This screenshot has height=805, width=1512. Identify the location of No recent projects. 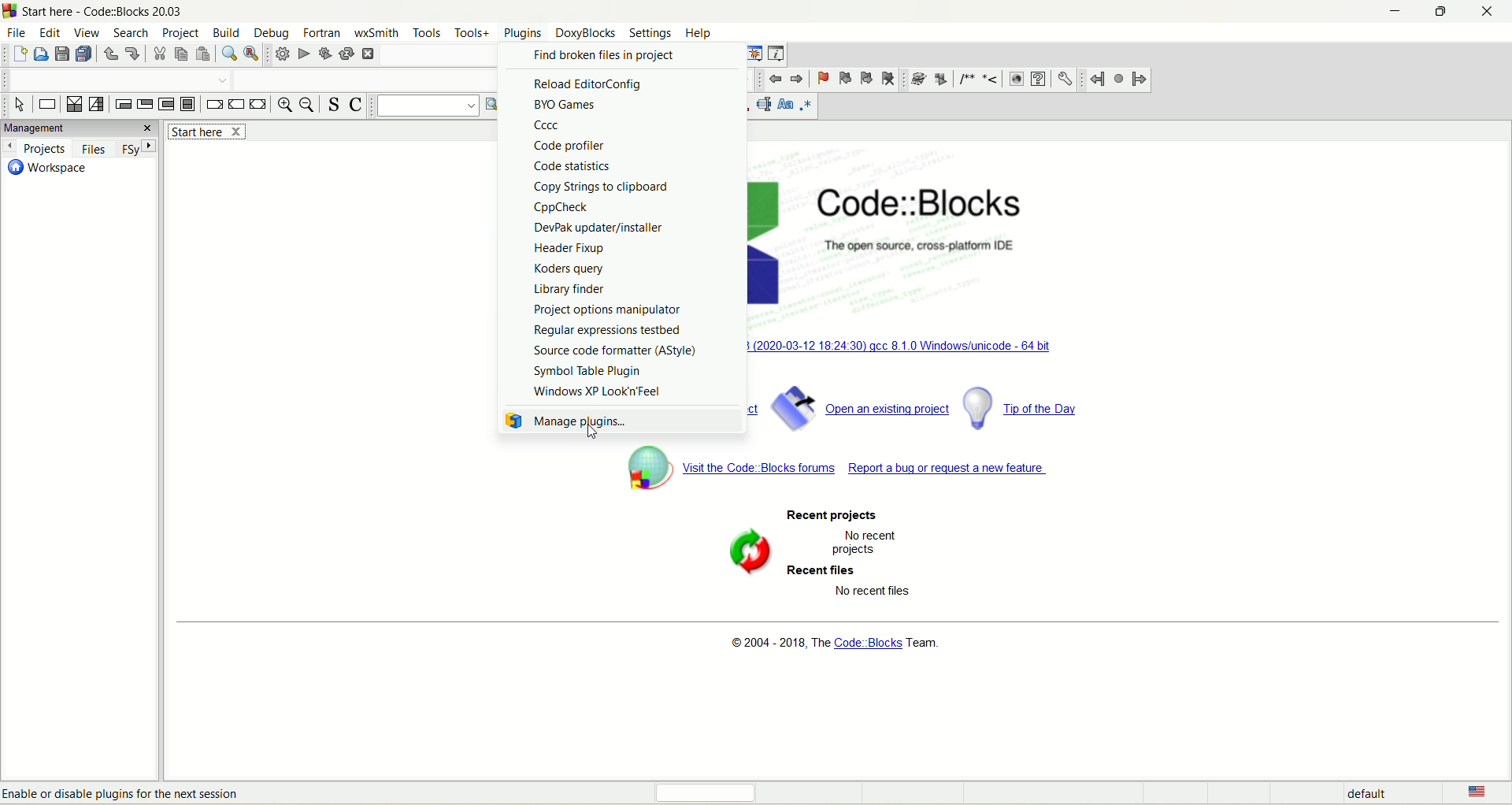
(862, 542).